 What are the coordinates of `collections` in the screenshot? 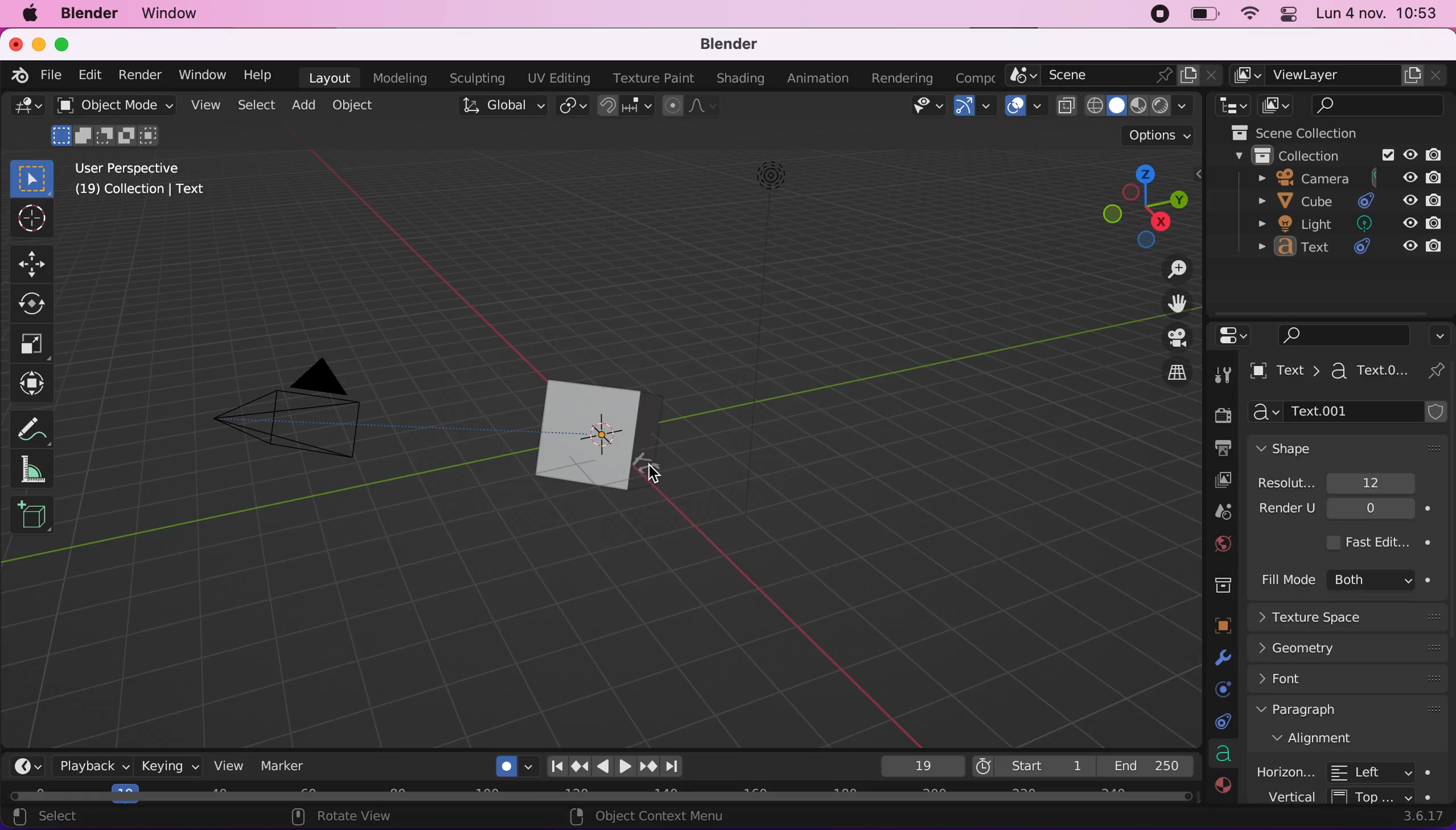 It's located at (1220, 587).